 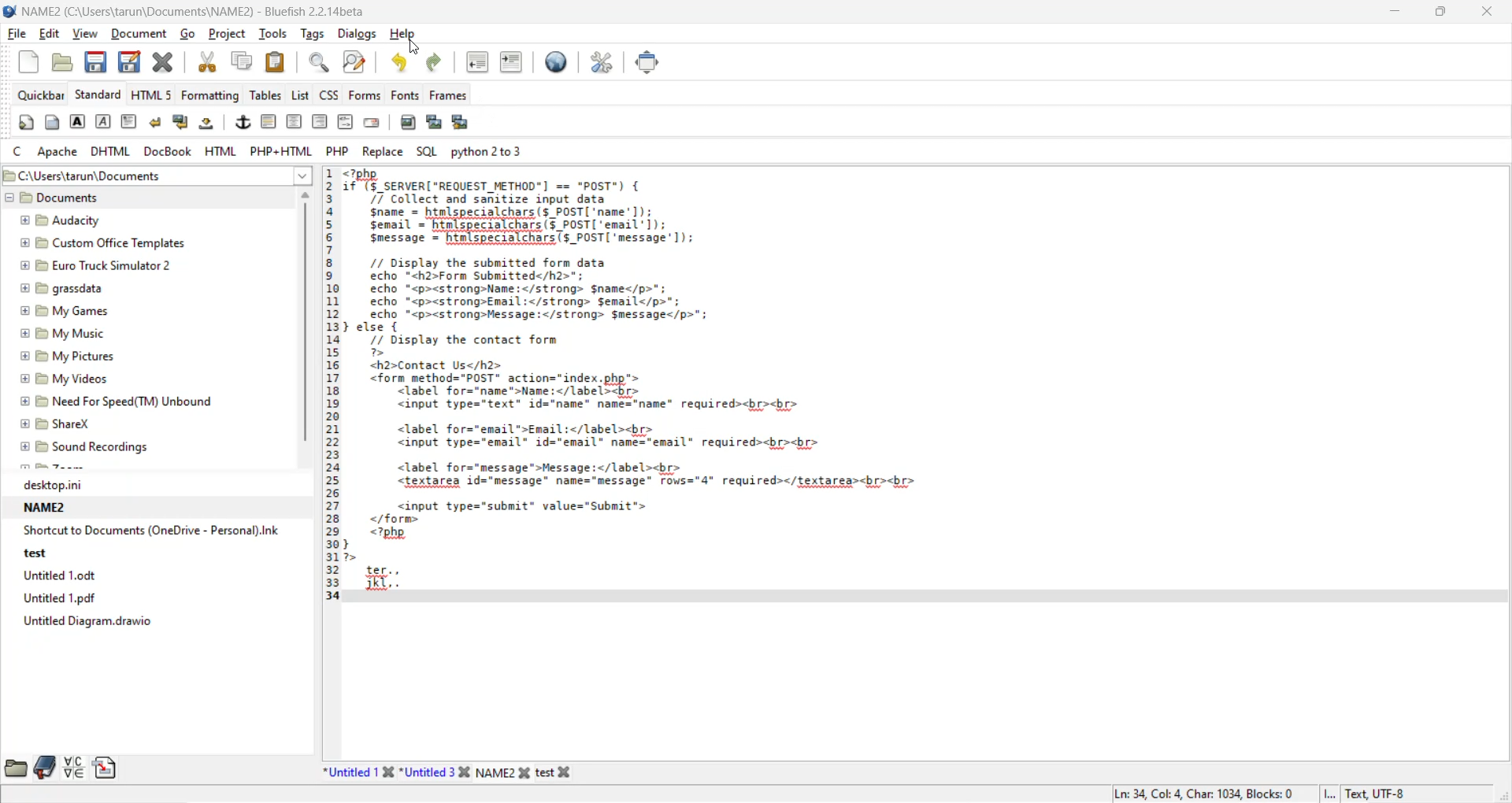 I want to click on forms, so click(x=366, y=96).